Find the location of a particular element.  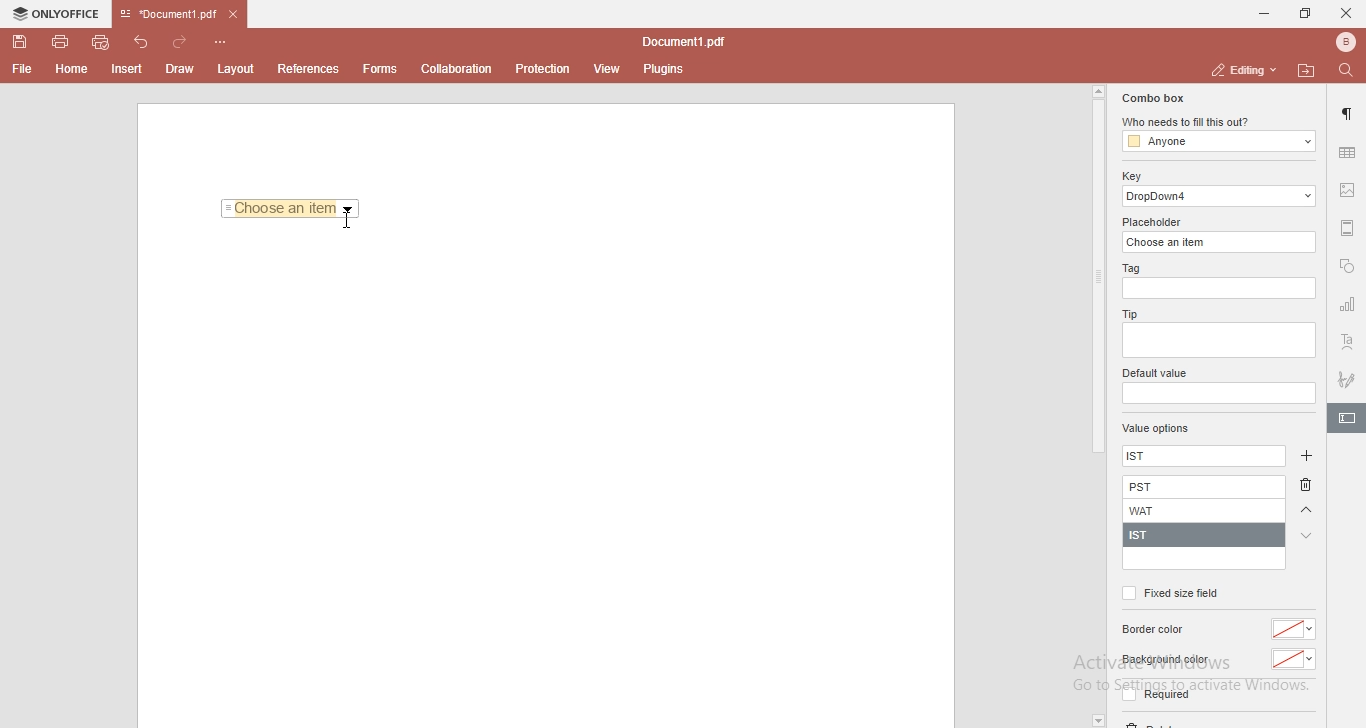

tag is located at coordinates (1129, 269).